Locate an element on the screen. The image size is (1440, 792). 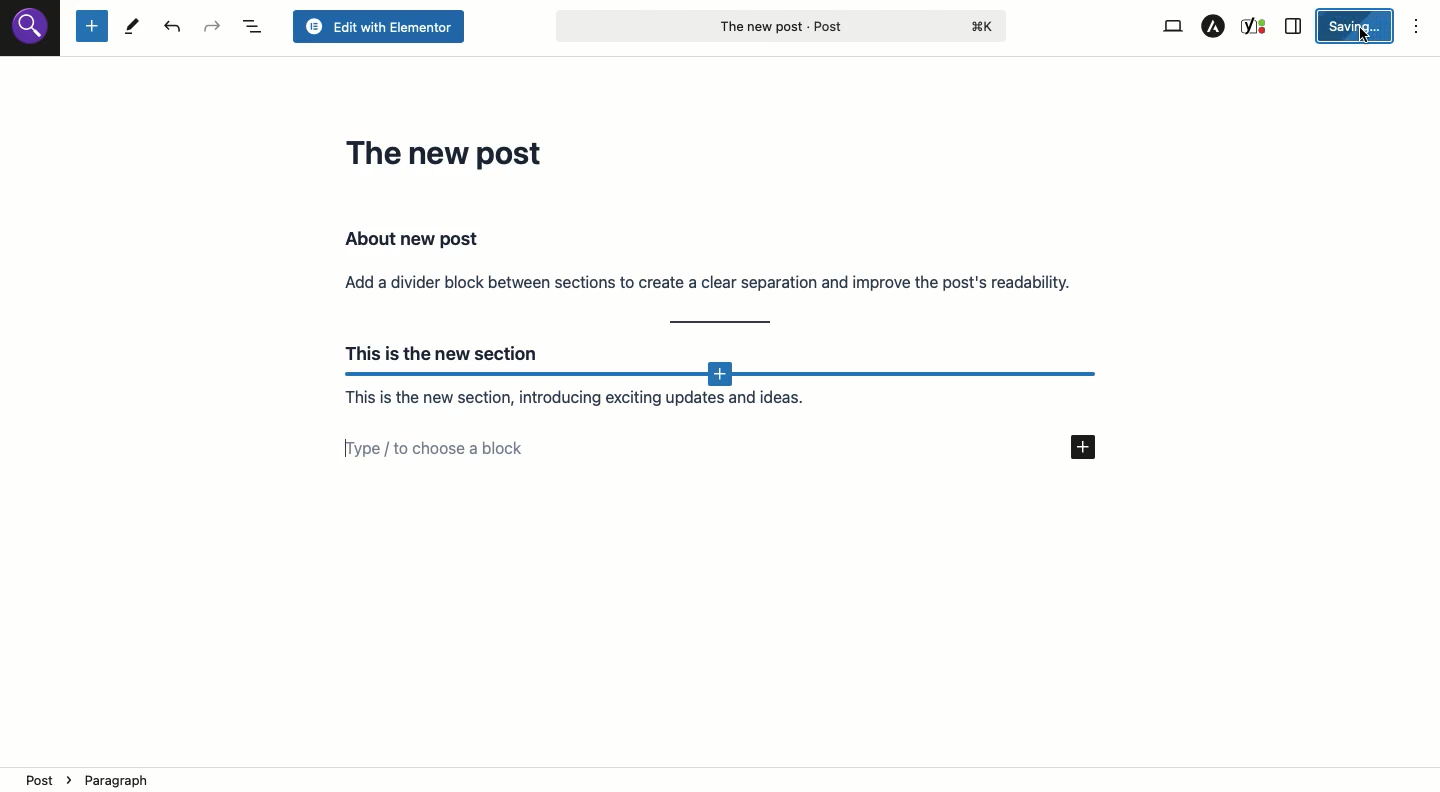
New block is located at coordinates (91, 27).